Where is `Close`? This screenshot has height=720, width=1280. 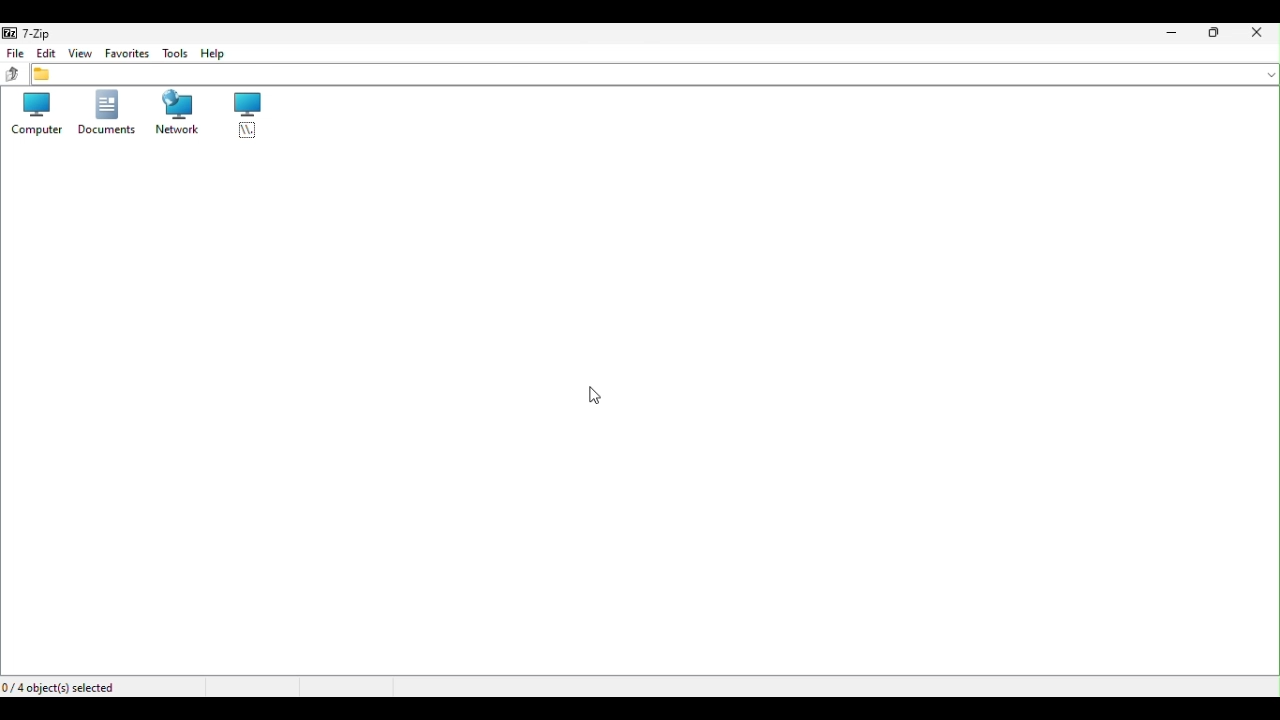
Close is located at coordinates (1265, 33).